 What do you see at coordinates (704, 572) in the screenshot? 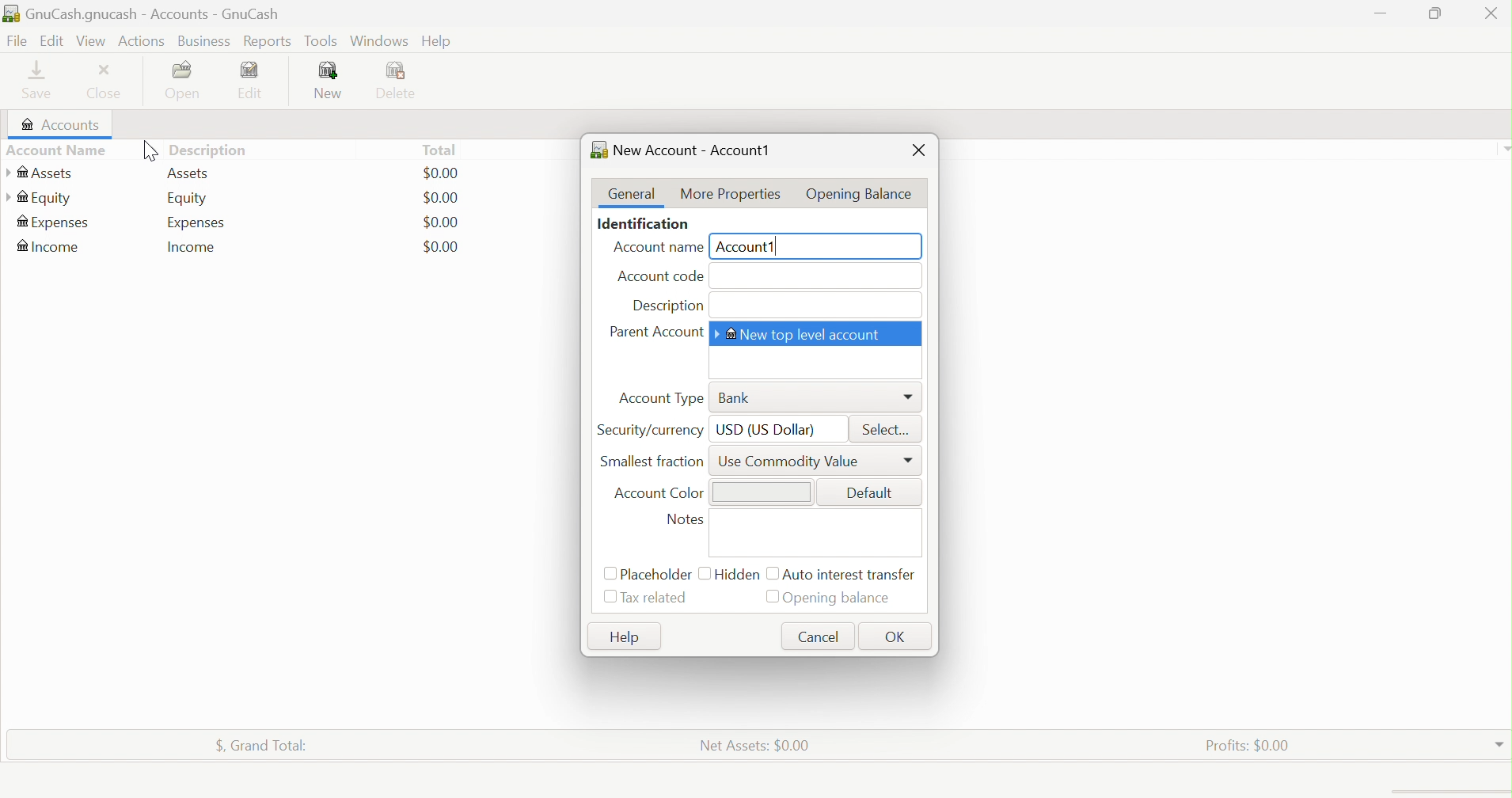
I see `Checkbox` at bounding box center [704, 572].